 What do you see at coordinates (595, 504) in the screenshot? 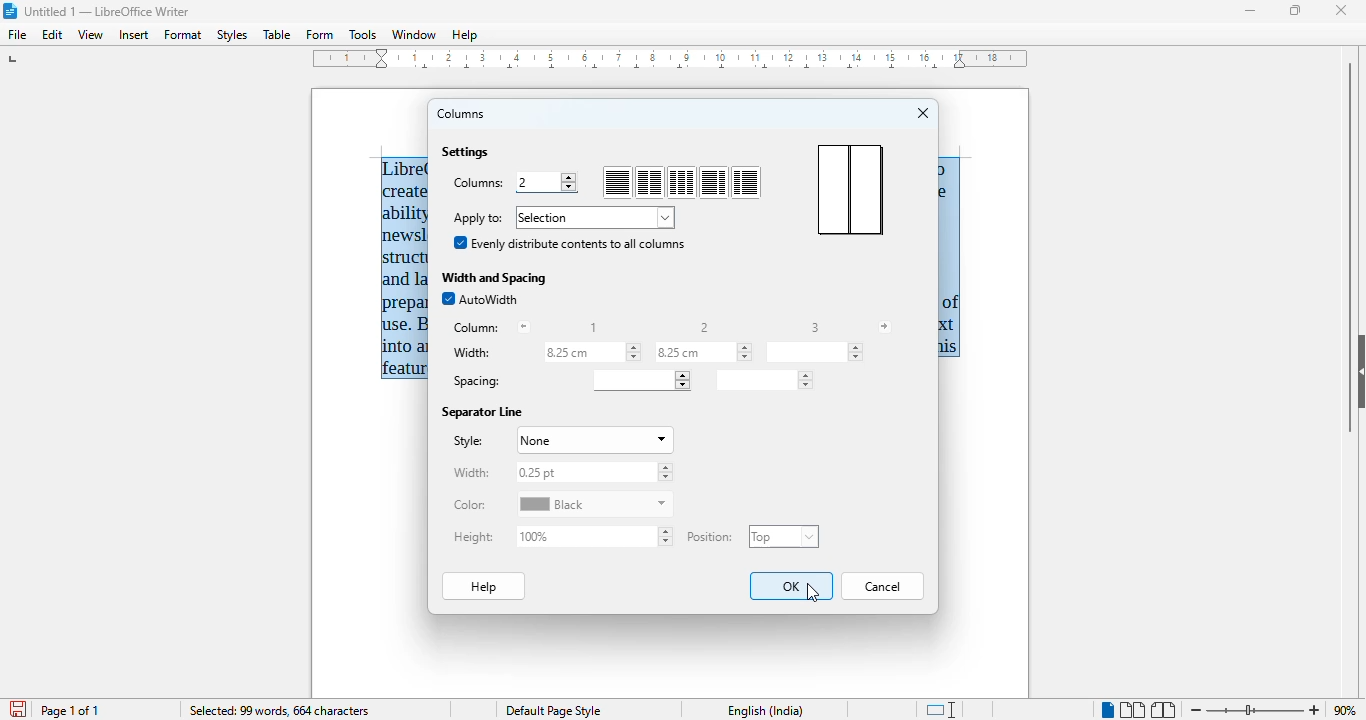
I see `black` at bounding box center [595, 504].